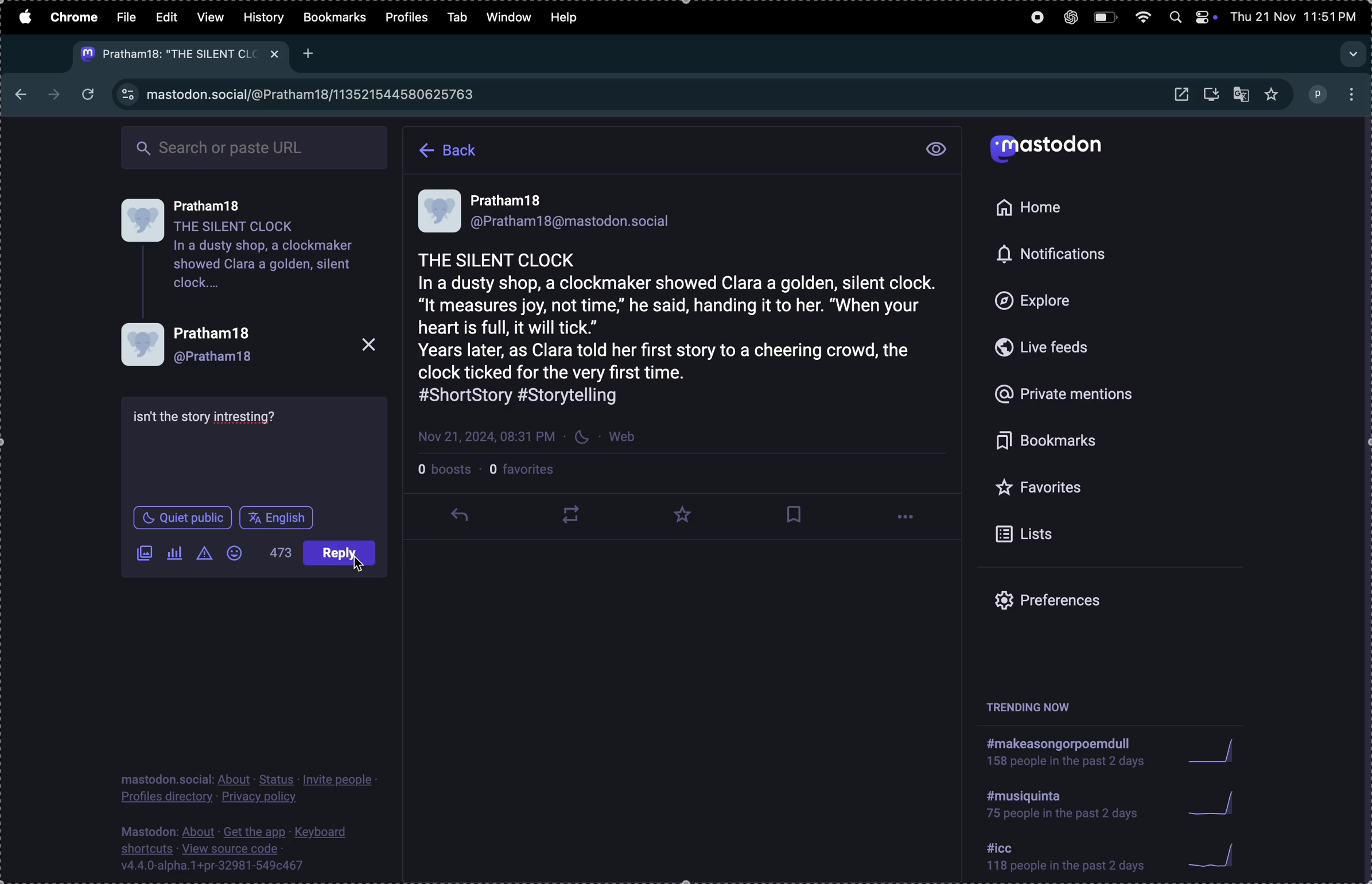 The height and width of the screenshot is (884, 1372). I want to click on refresh, so click(90, 95).